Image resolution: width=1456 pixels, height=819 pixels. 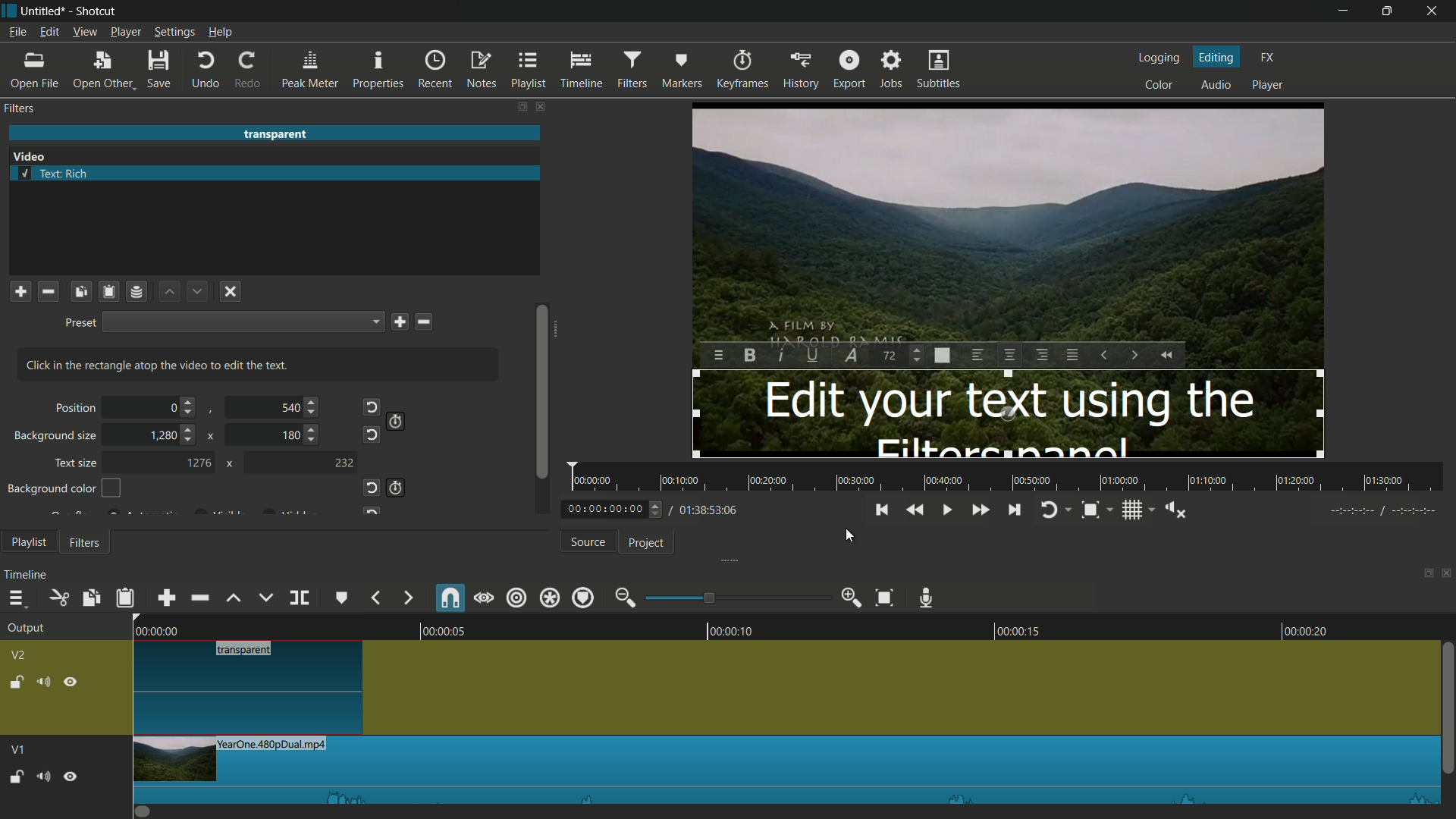 I want to click on dropdown, so click(x=243, y=322).